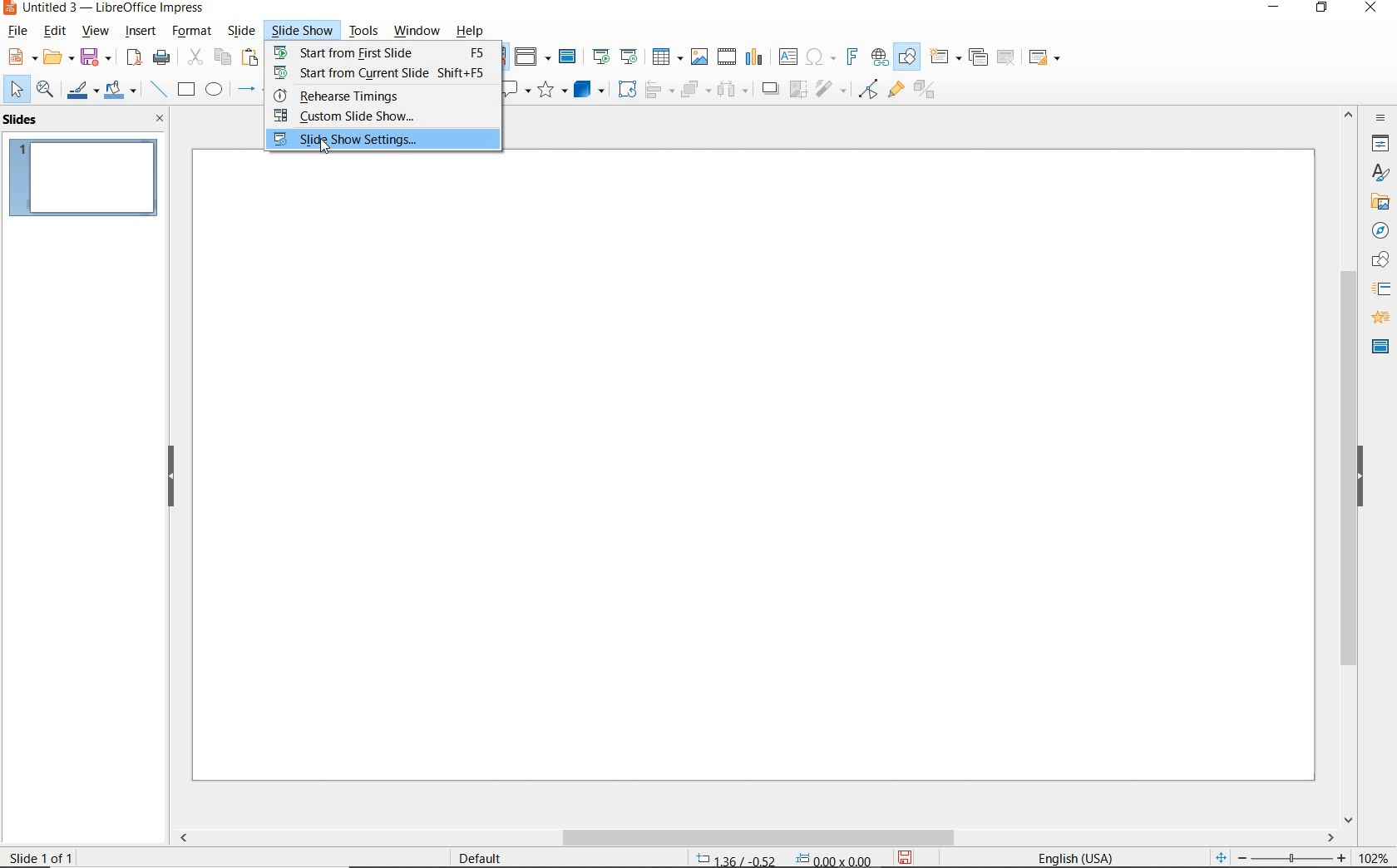 The height and width of the screenshot is (868, 1397). What do you see at coordinates (364, 30) in the screenshot?
I see `TOOLS` at bounding box center [364, 30].